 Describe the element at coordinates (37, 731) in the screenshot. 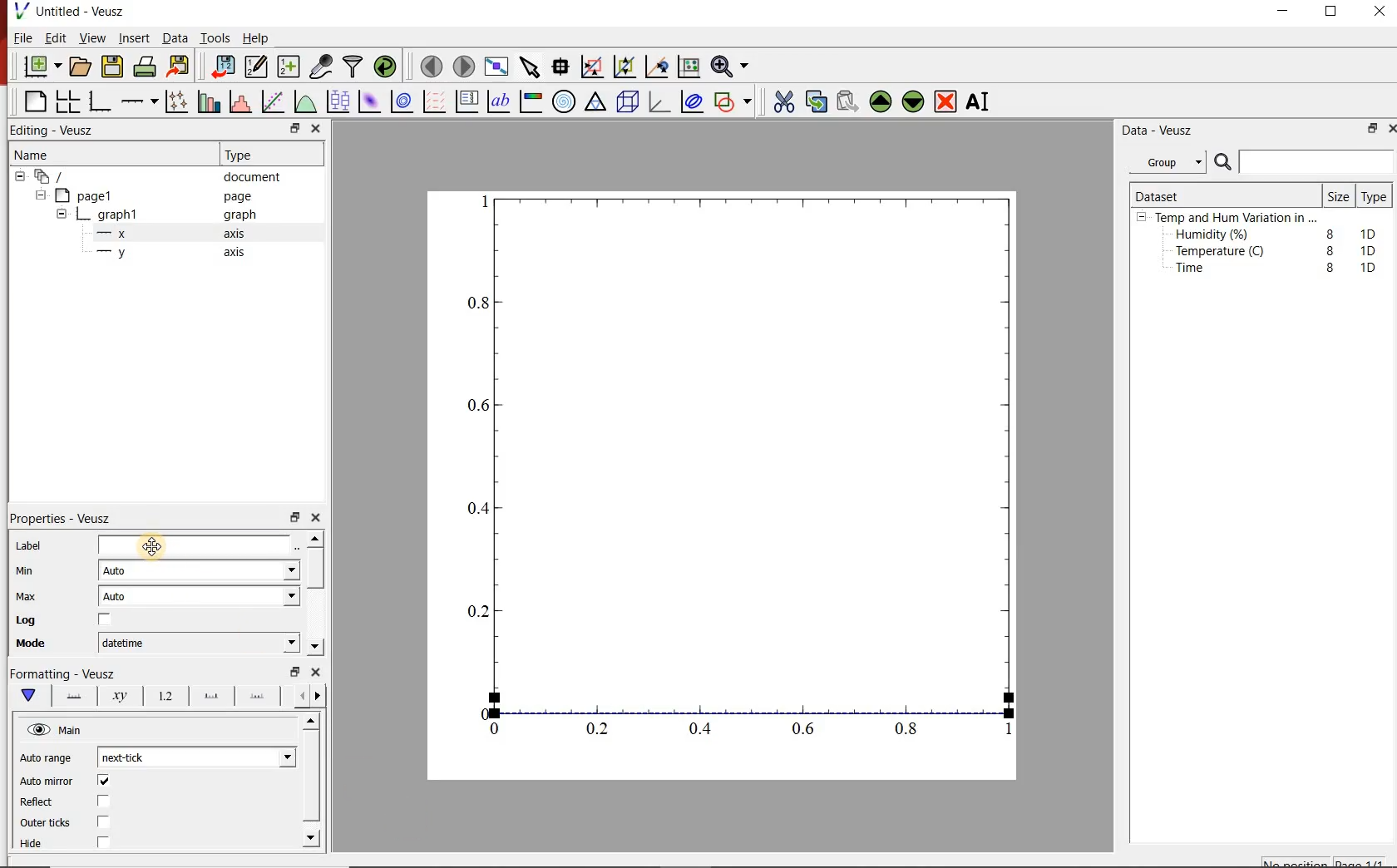

I see `visible (click to hide, set Hide to true)` at that location.